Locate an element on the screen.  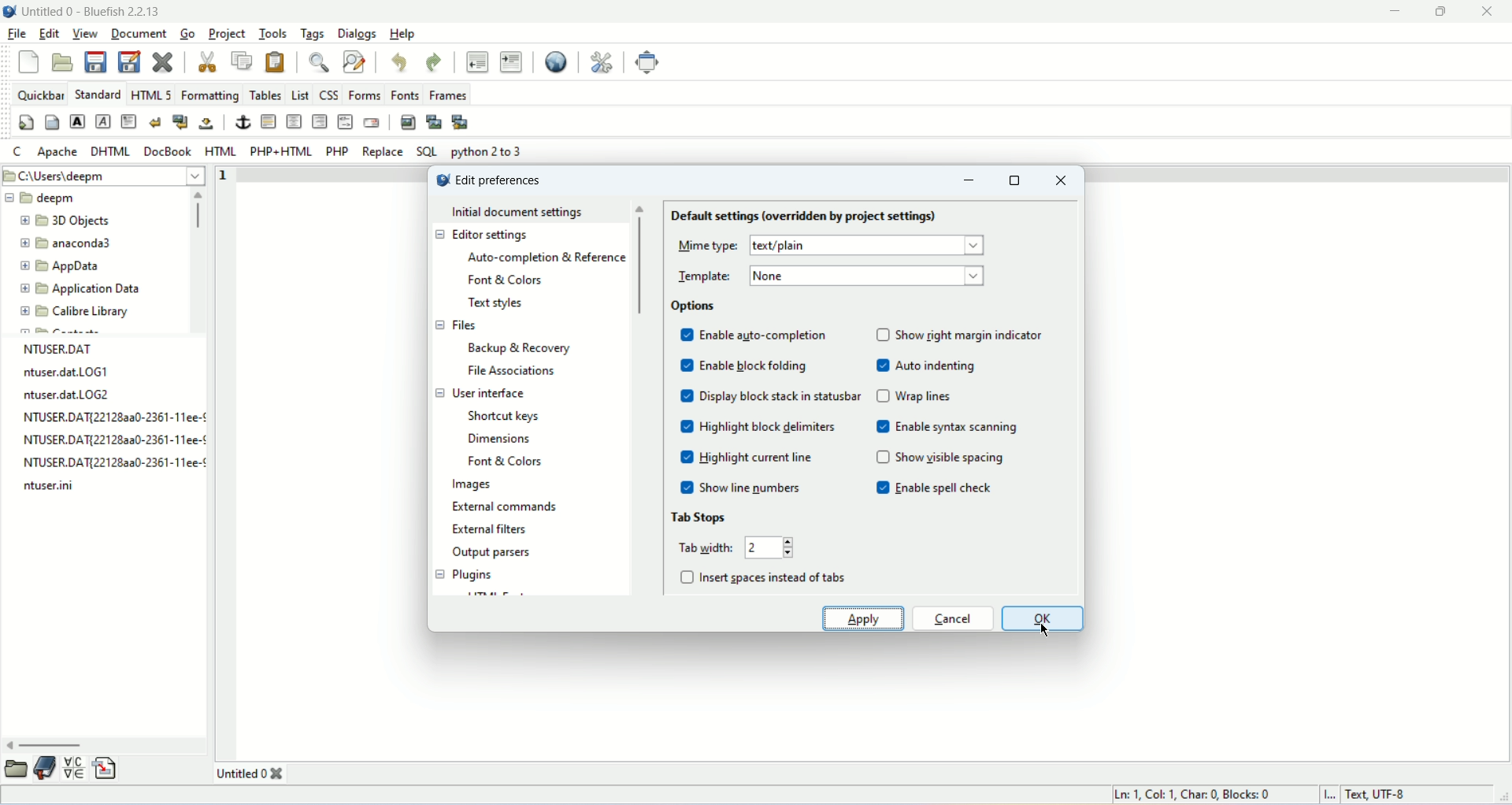
shortcut keys is located at coordinates (507, 417).